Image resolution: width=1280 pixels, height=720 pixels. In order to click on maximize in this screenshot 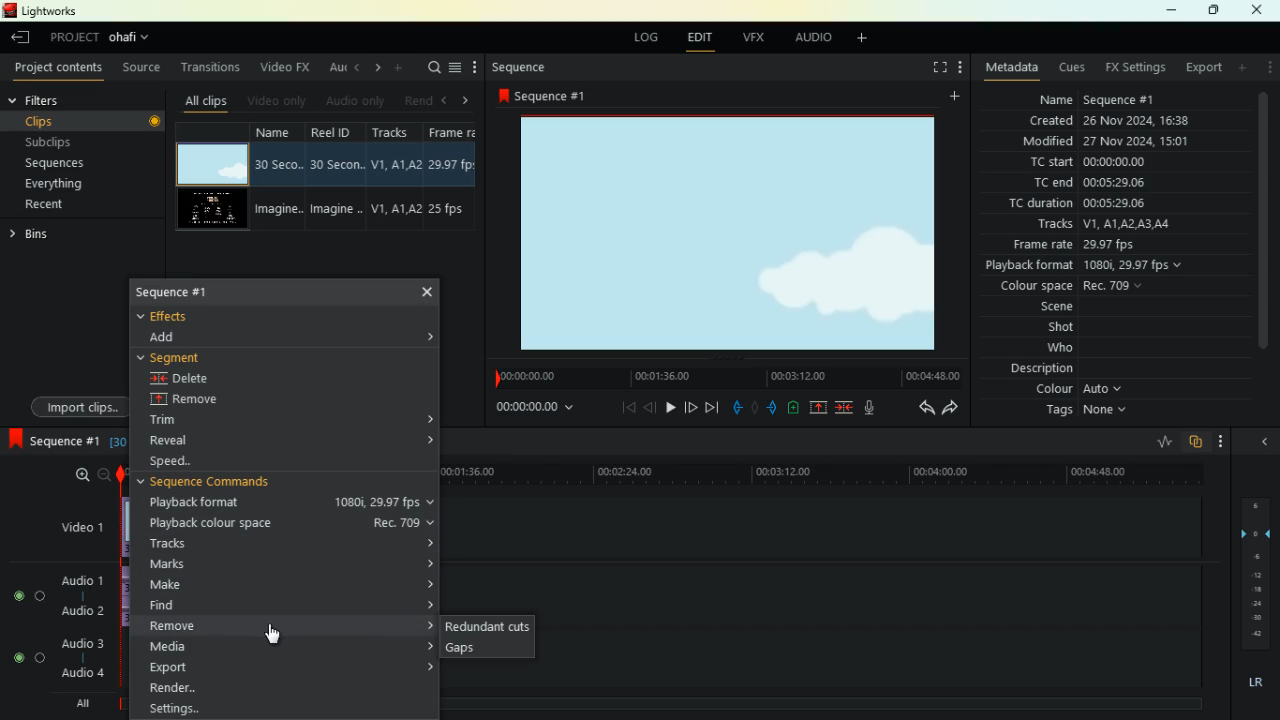, I will do `click(1211, 11)`.